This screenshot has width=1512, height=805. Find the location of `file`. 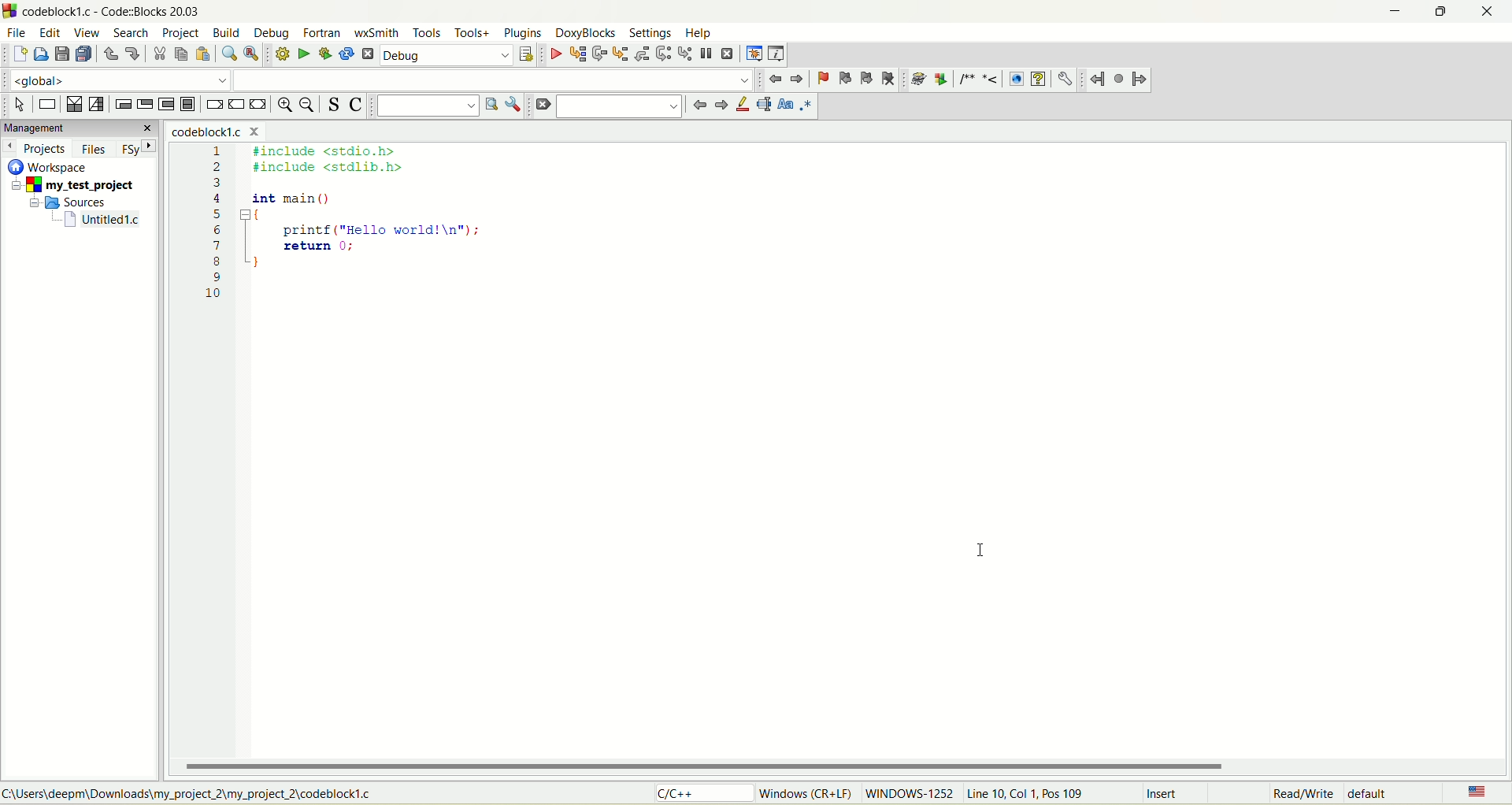

file is located at coordinates (15, 32).